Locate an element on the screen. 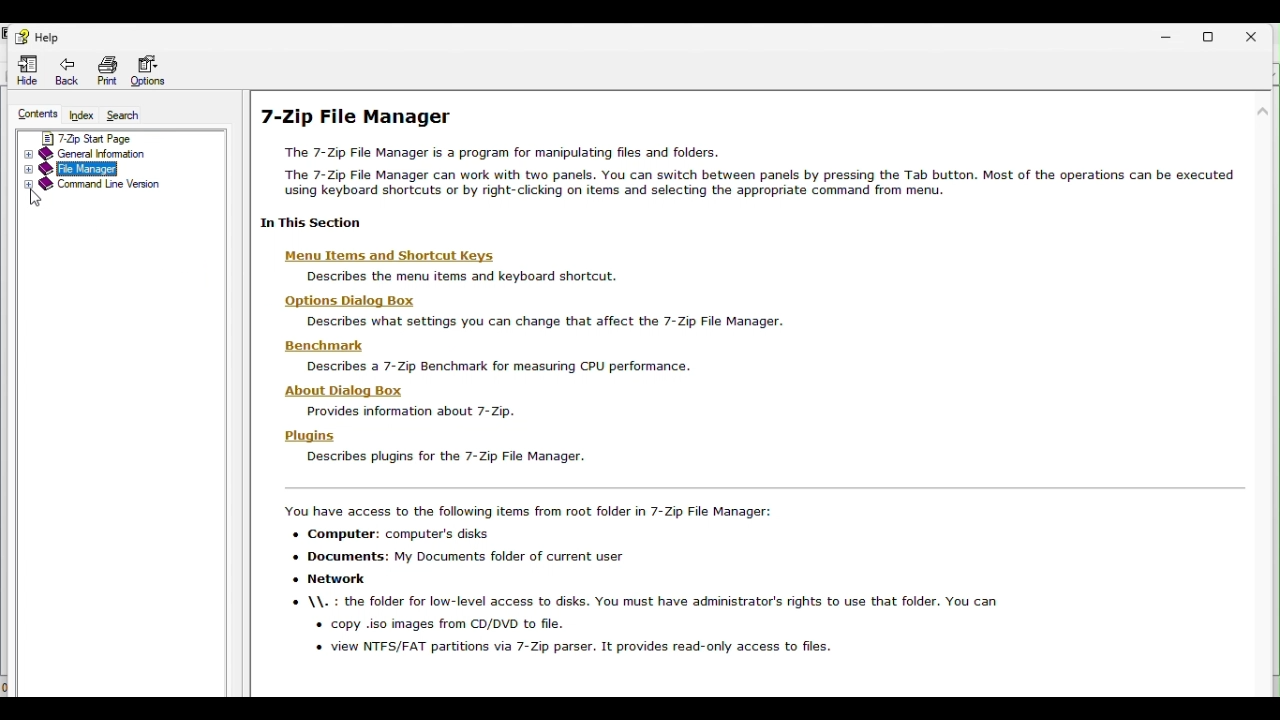 The height and width of the screenshot is (720, 1280). In this secction is located at coordinates (315, 223).